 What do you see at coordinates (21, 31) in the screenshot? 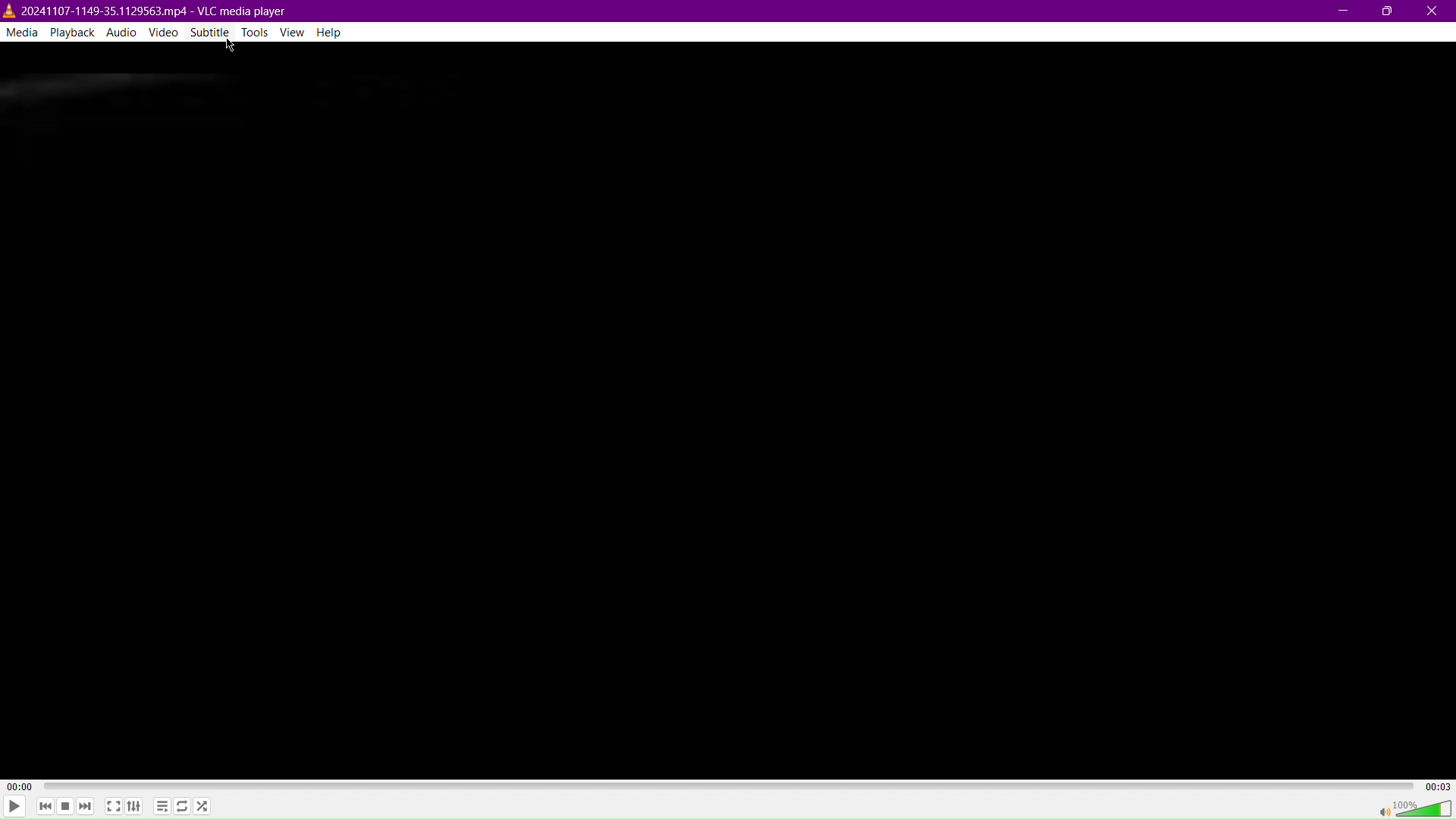
I see `Media` at bounding box center [21, 31].